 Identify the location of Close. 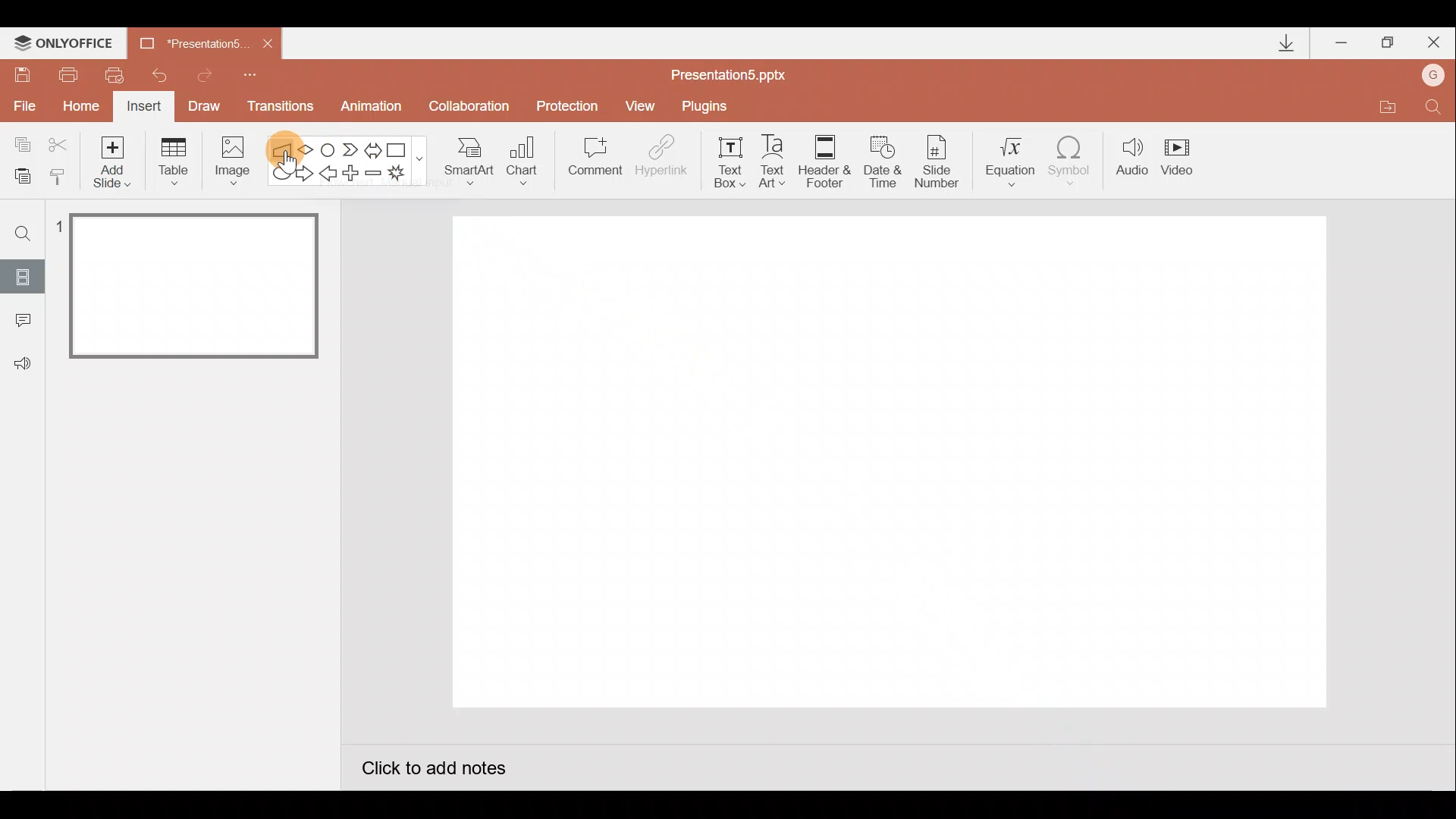
(1434, 45).